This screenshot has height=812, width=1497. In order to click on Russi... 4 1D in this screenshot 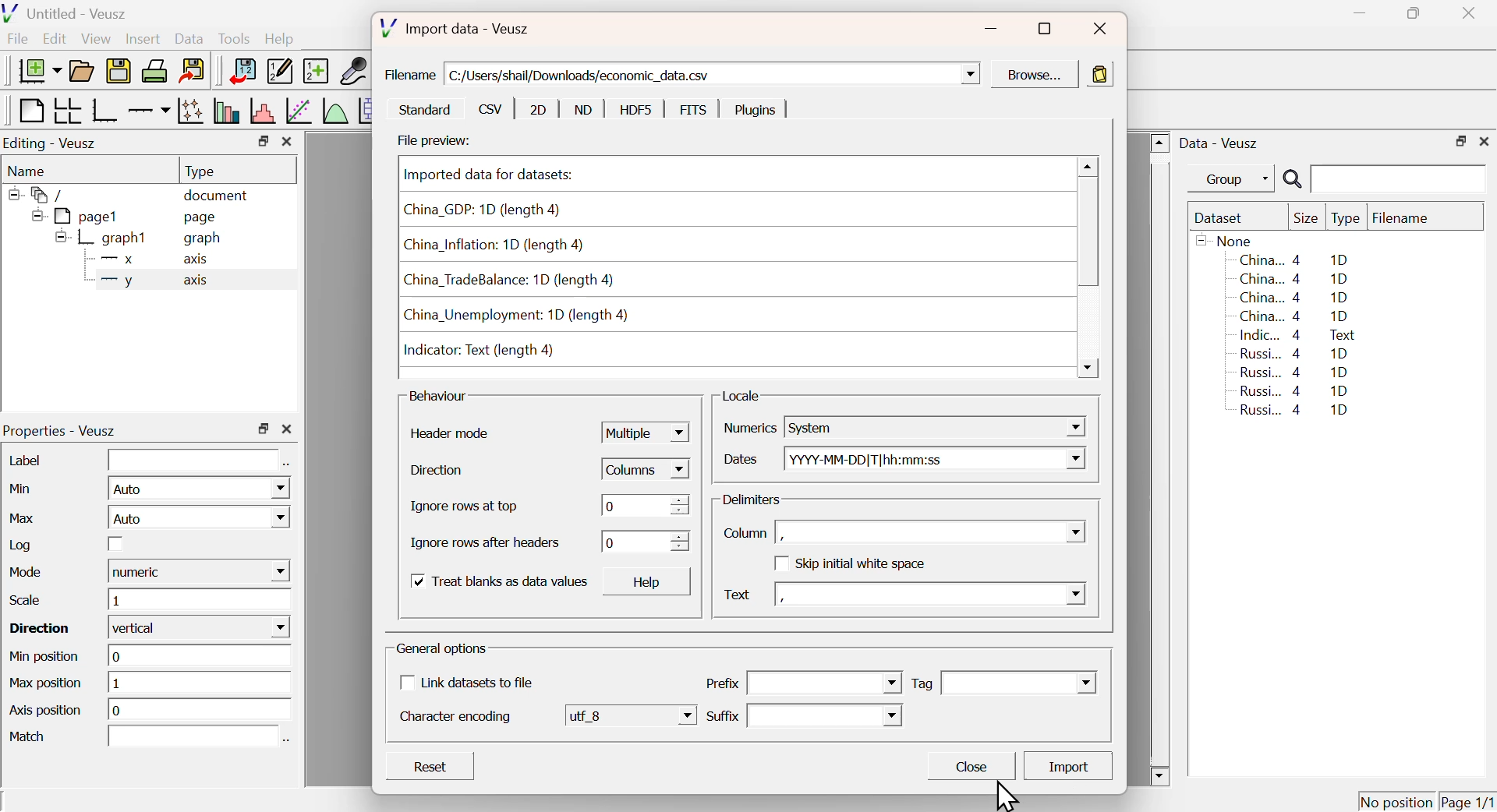, I will do `click(1297, 353)`.